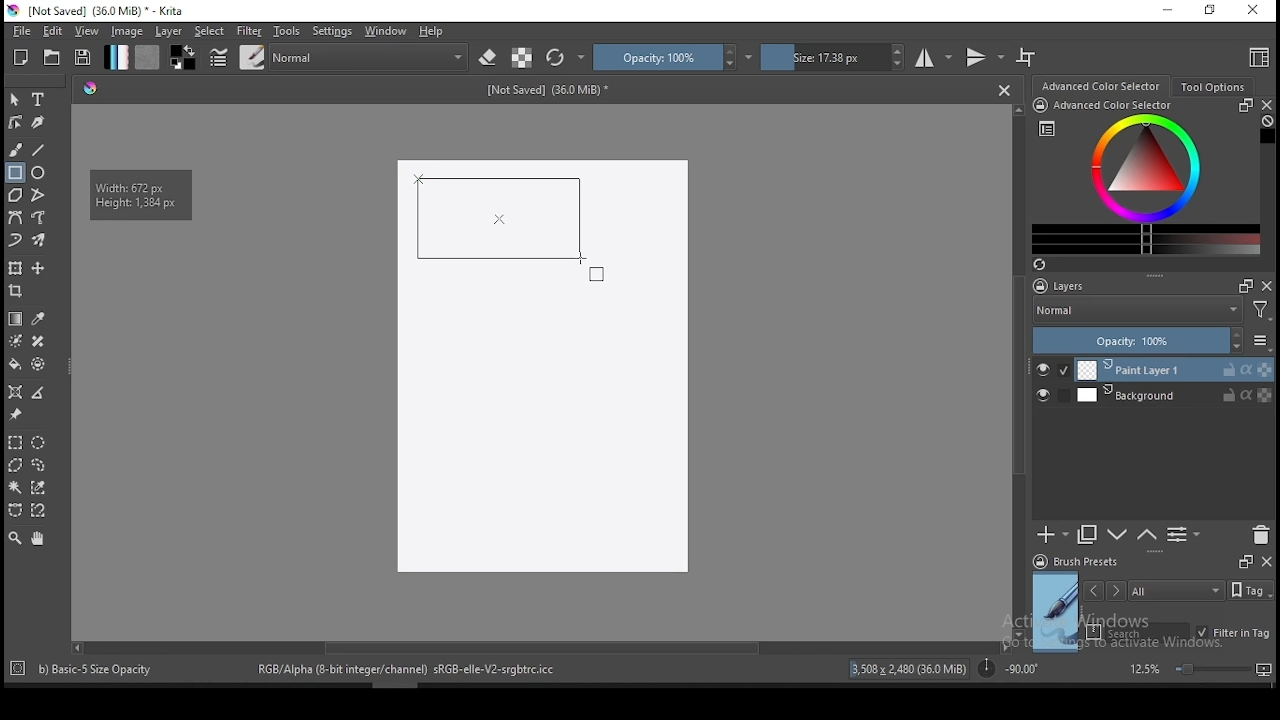 The width and height of the screenshot is (1280, 720). What do you see at coordinates (15, 99) in the screenshot?
I see `select shapes tool` at bounding box center [15, 99].